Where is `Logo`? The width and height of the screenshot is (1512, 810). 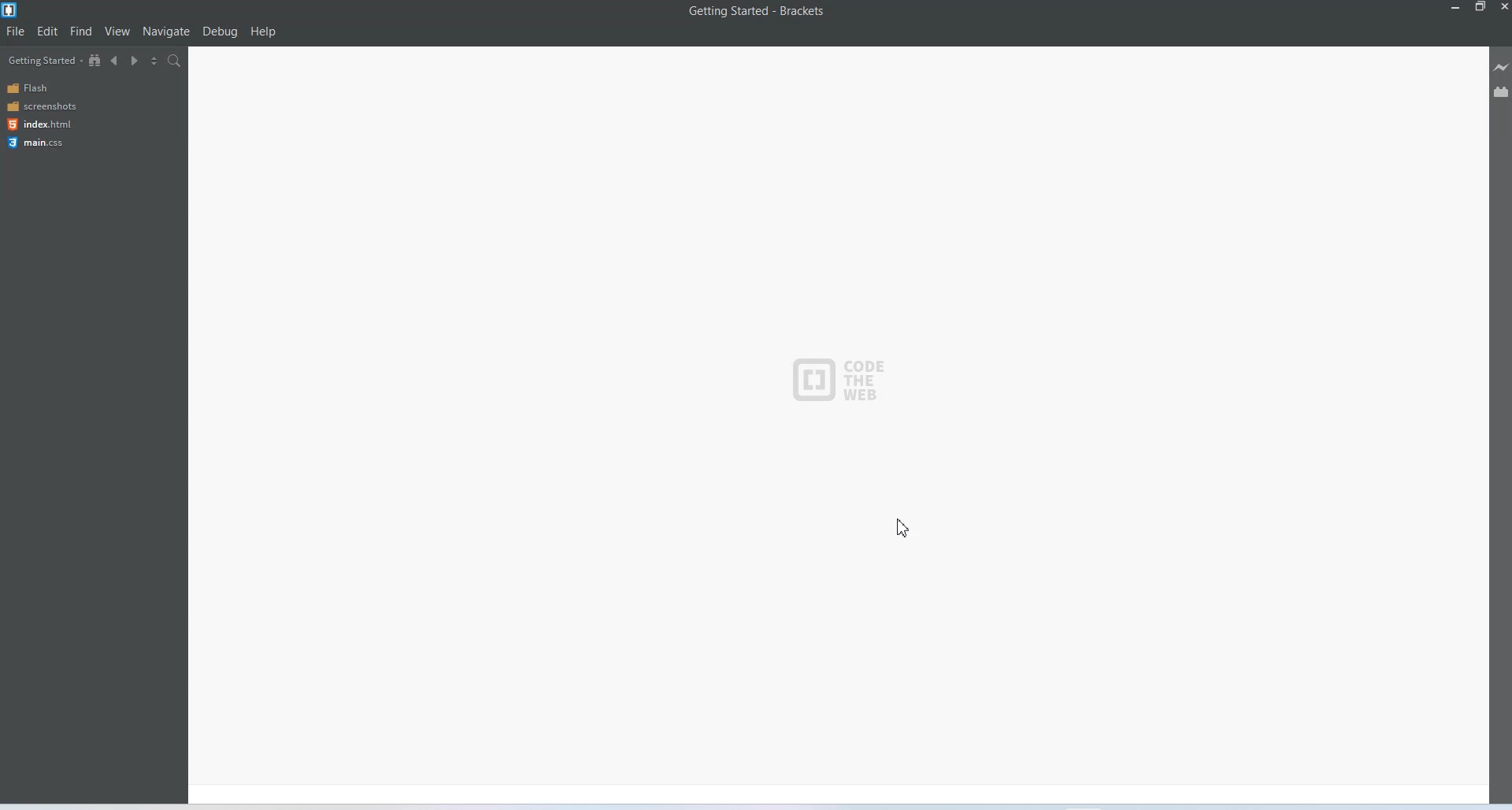
Logo is located at coordinates (11, 10).